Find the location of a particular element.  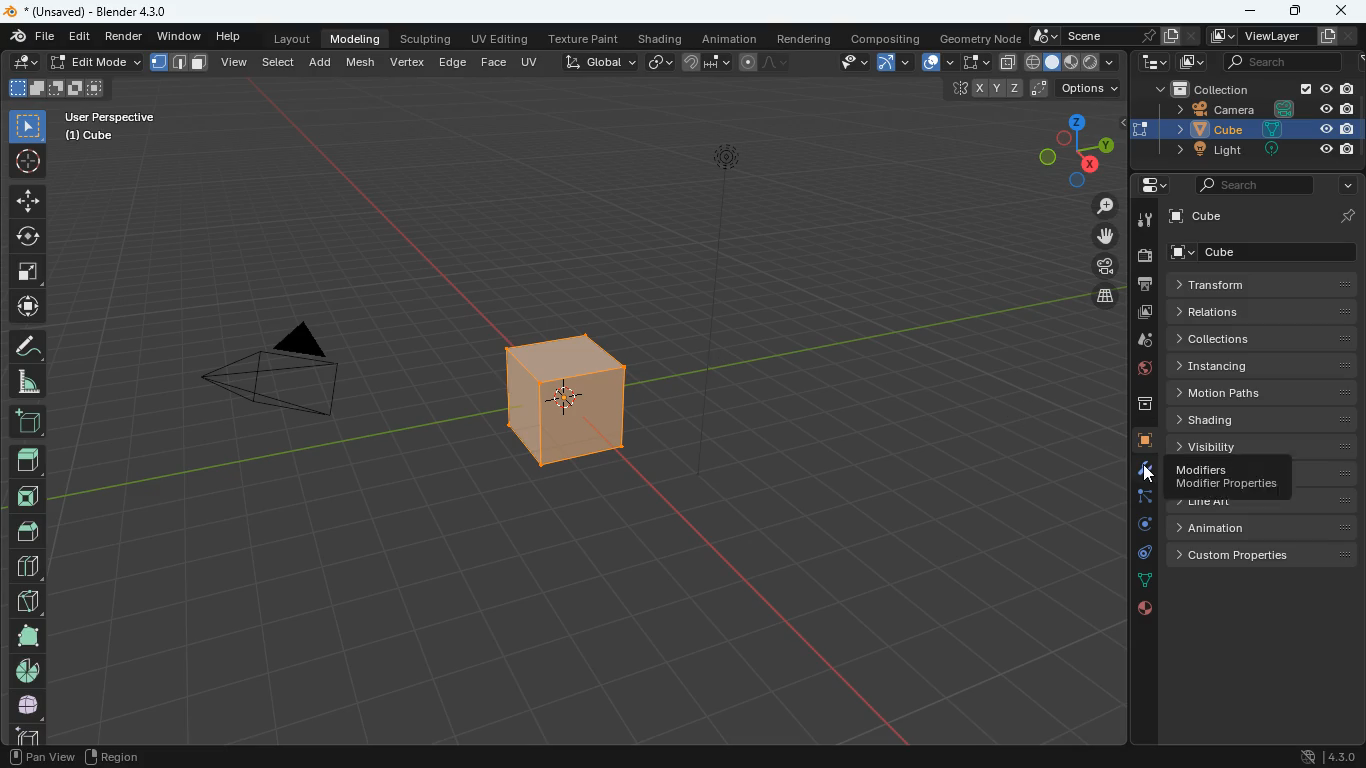

view is located at coordinates (236, 62).